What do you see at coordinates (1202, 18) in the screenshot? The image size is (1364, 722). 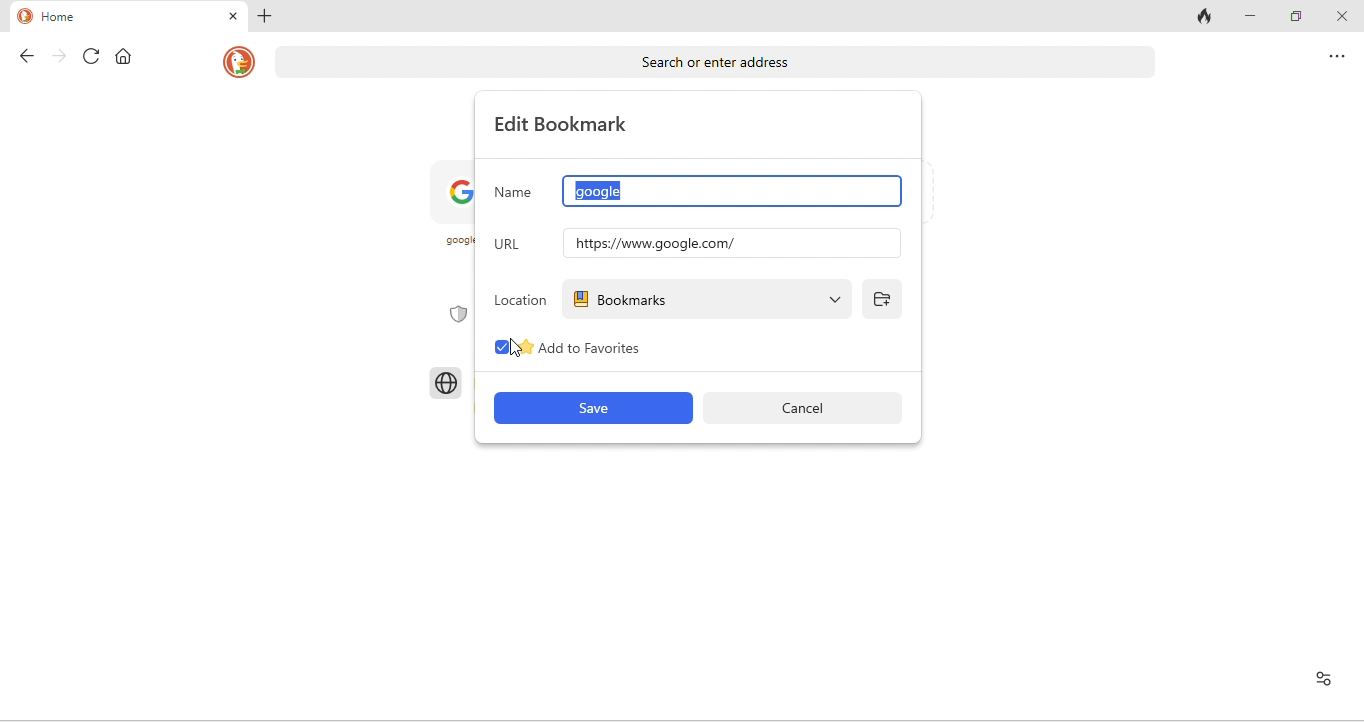 I see `track tab` at bounding box center [1202, 18].